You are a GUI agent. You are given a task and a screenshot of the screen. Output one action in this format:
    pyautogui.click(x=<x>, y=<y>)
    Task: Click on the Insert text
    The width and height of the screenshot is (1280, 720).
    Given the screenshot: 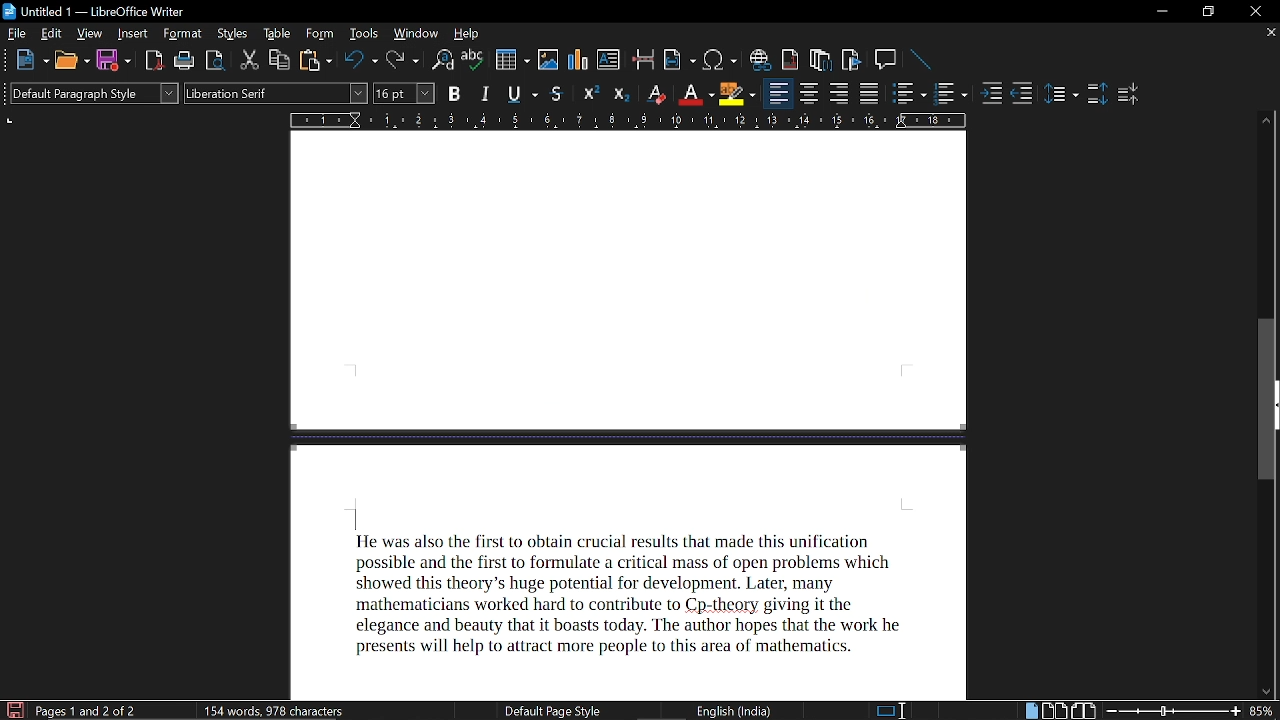 What is the action you would take?
    pyautogui.click(x=609, y=60)
    